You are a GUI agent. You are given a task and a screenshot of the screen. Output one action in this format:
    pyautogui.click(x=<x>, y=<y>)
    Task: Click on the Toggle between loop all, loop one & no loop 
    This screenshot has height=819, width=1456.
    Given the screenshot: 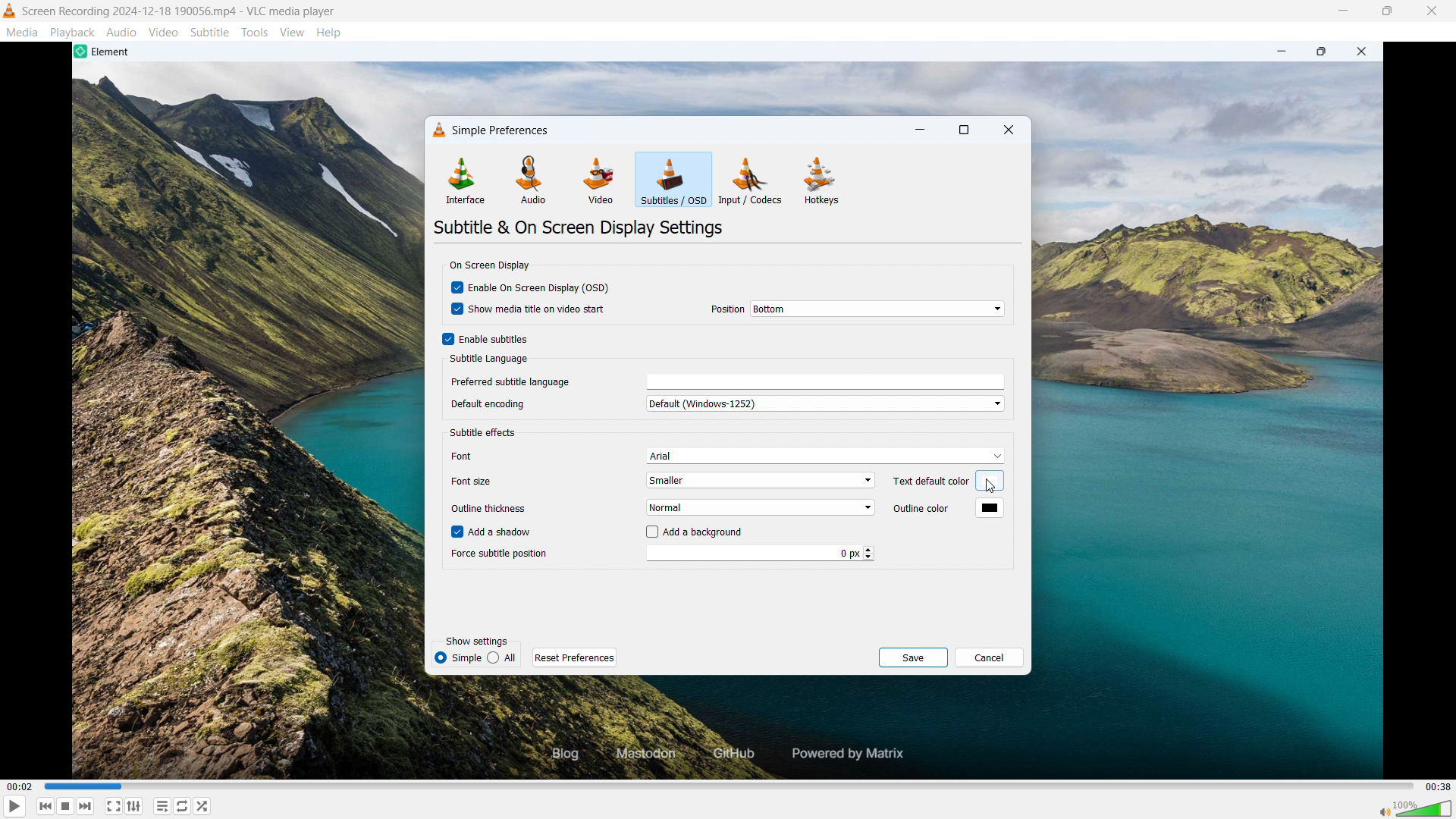 What is the action you would take?
    pyautogui.click(x=183, y=805)
    